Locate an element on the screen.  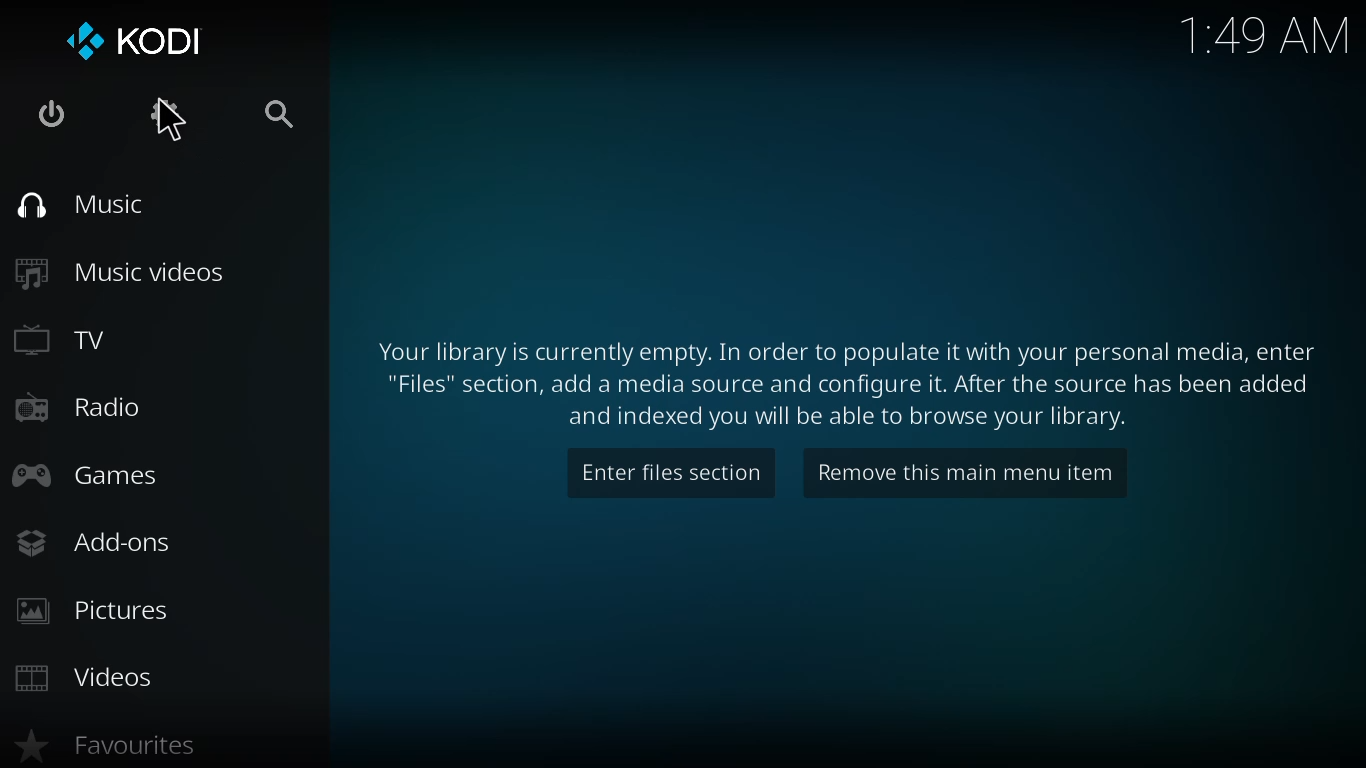
music is located at coordinates (91, 206).